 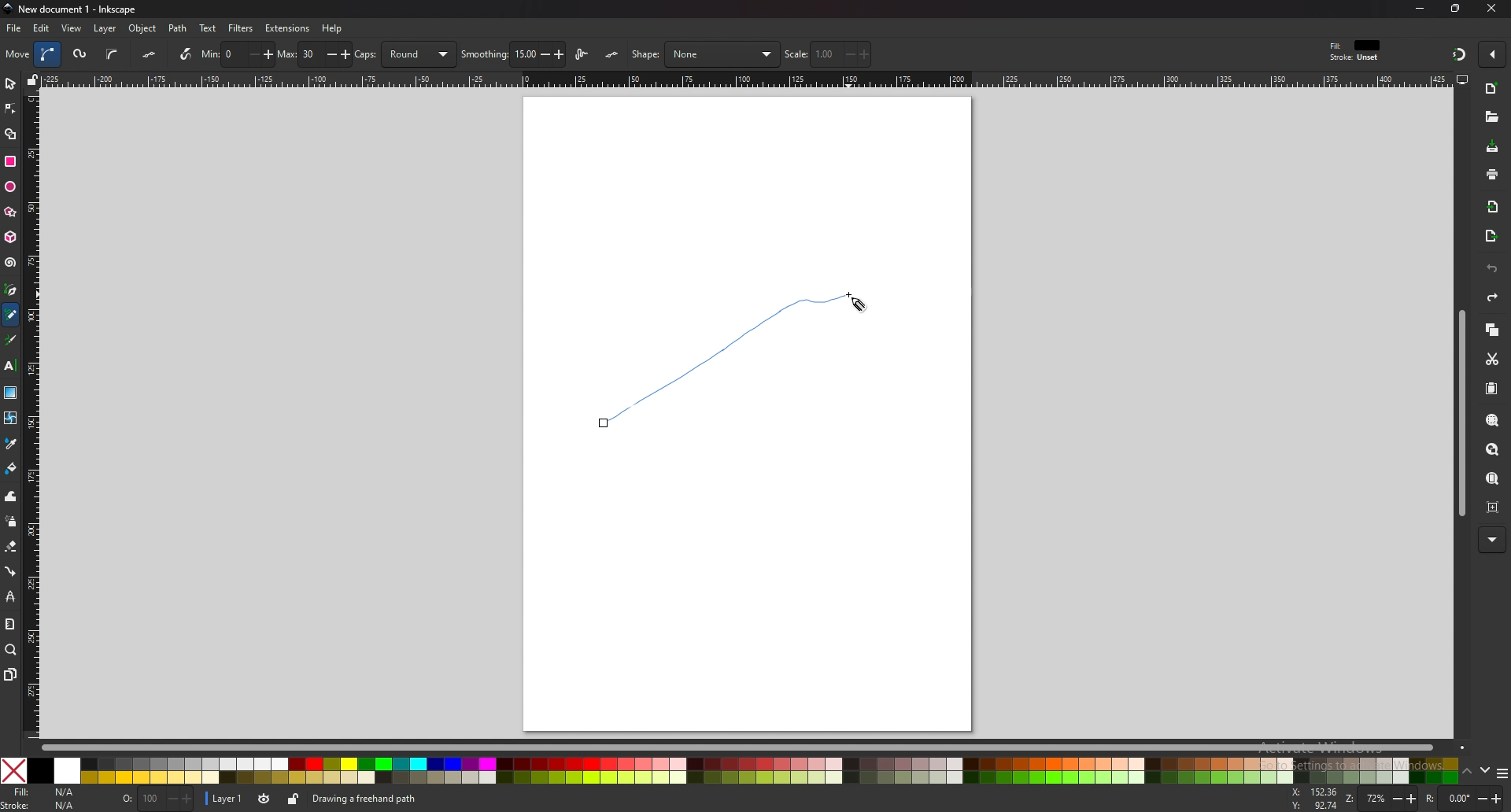 I want to click on up, so click(x=1467, y=772).